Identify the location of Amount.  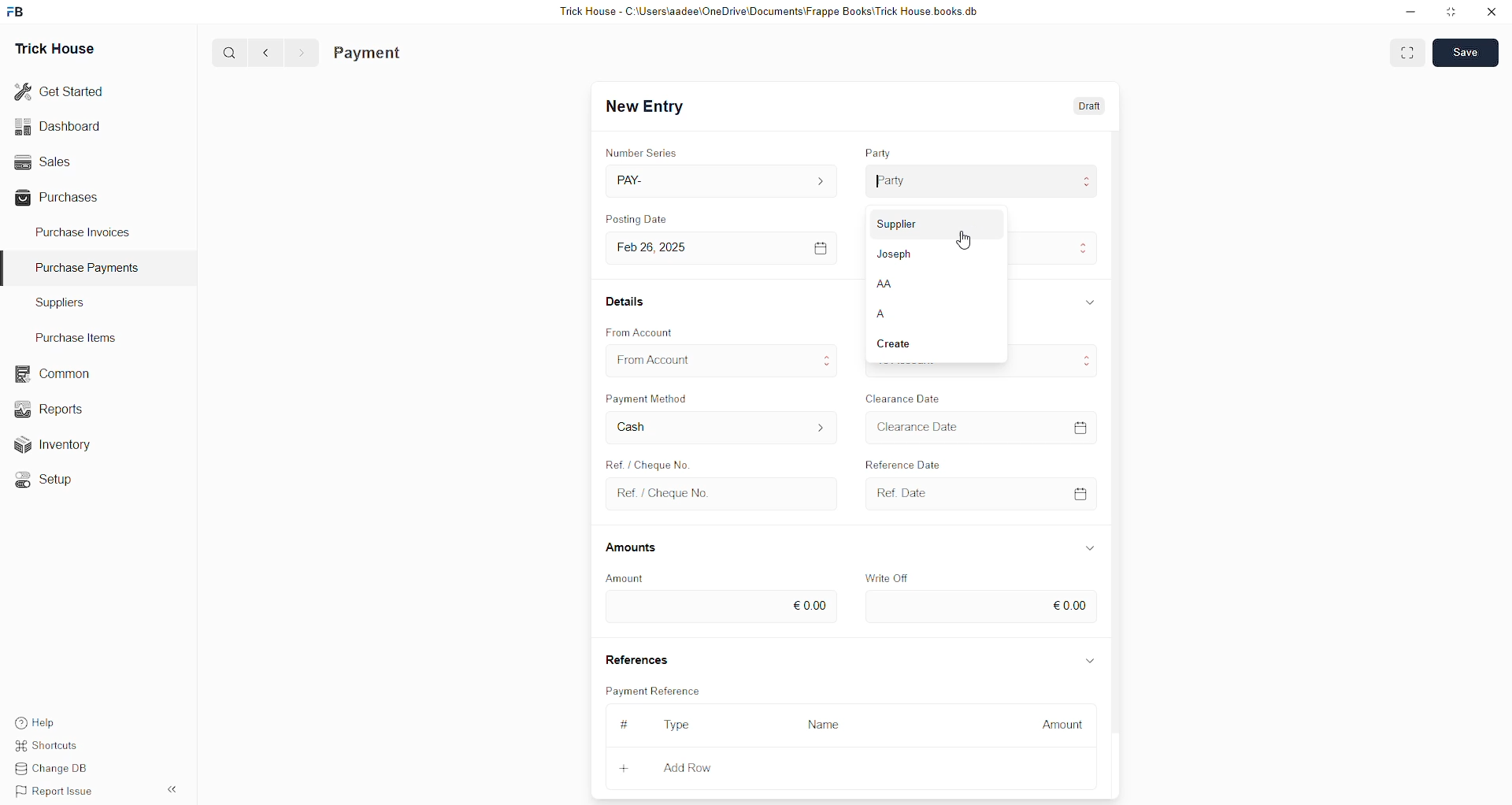
(634, 577).